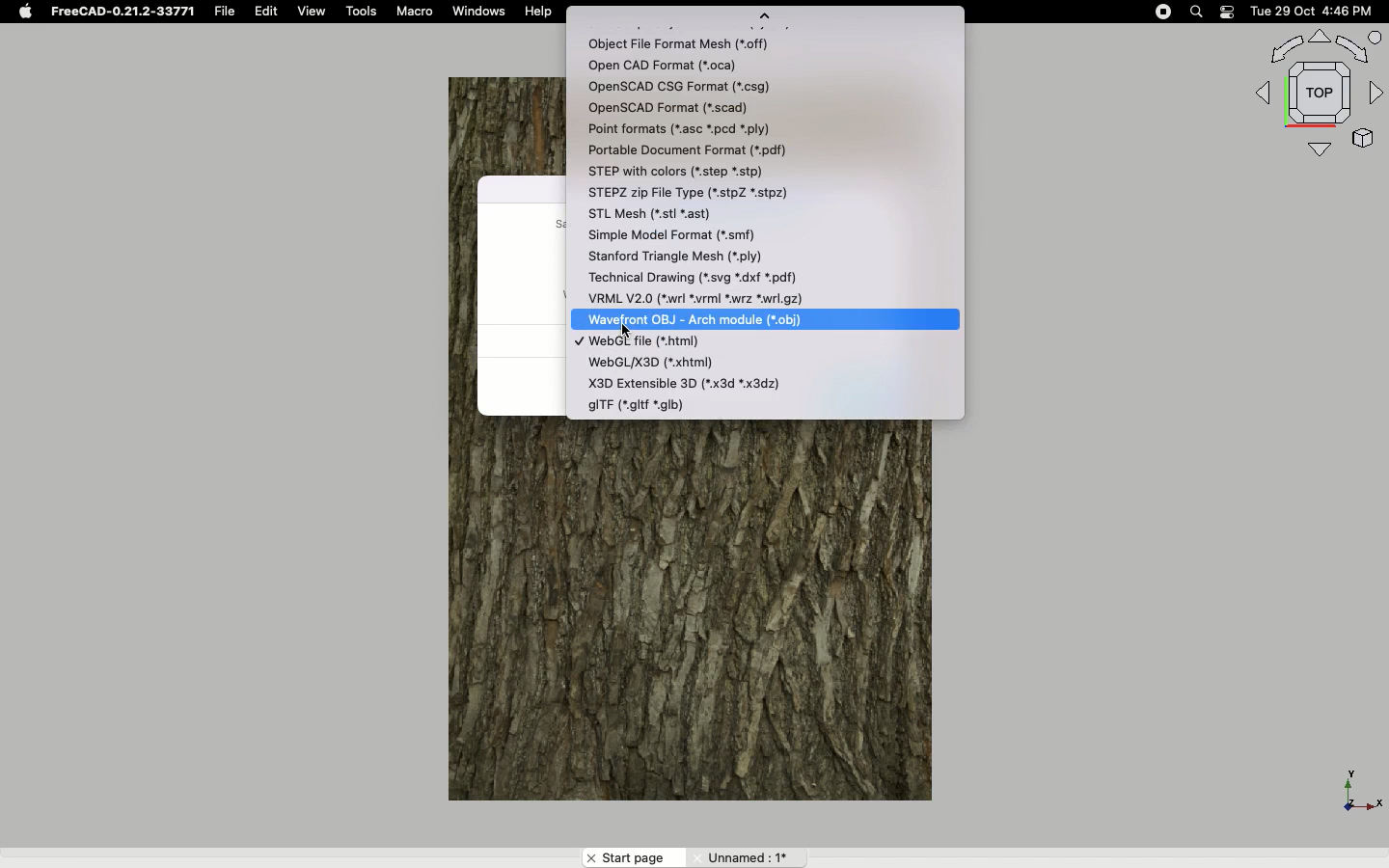  Describe the element at coordinates (702, 150) in the screenshot. I see `Portable document format(*.pdf)` at that location.